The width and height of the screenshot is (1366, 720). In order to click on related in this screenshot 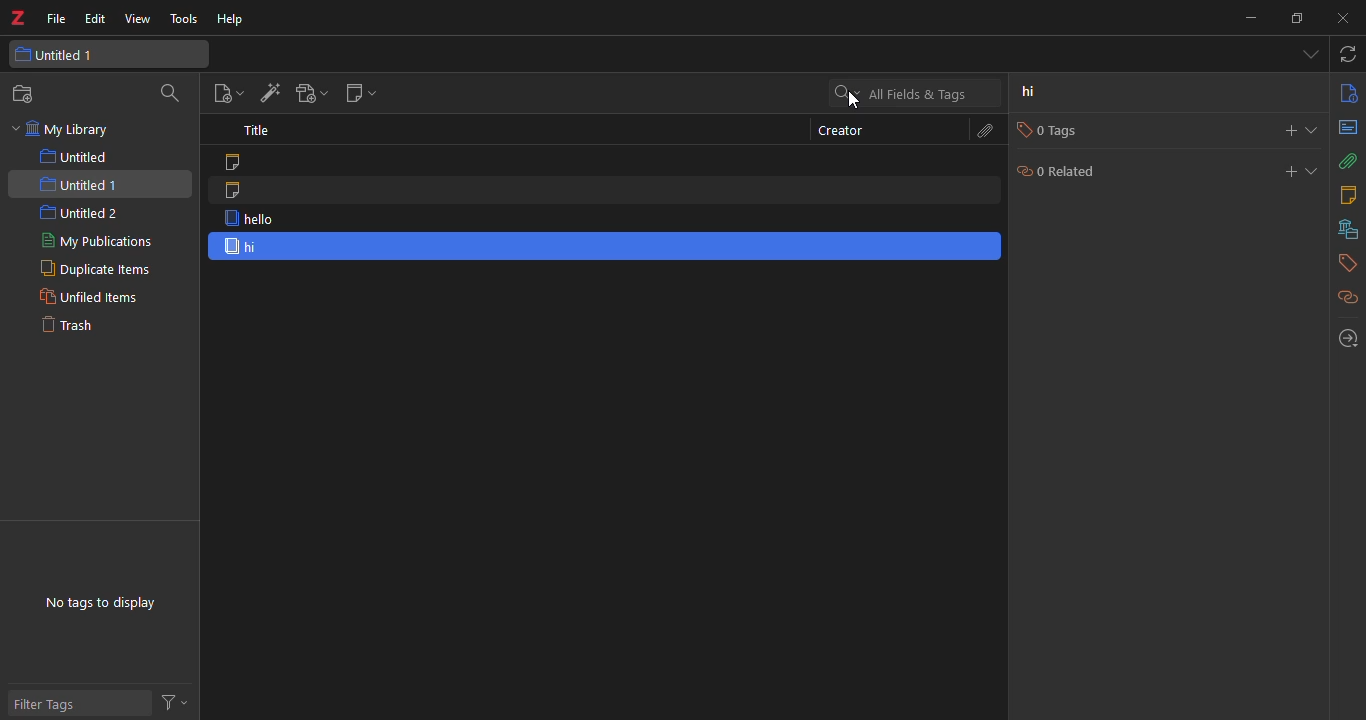, I will do `click(1347, 299)`.